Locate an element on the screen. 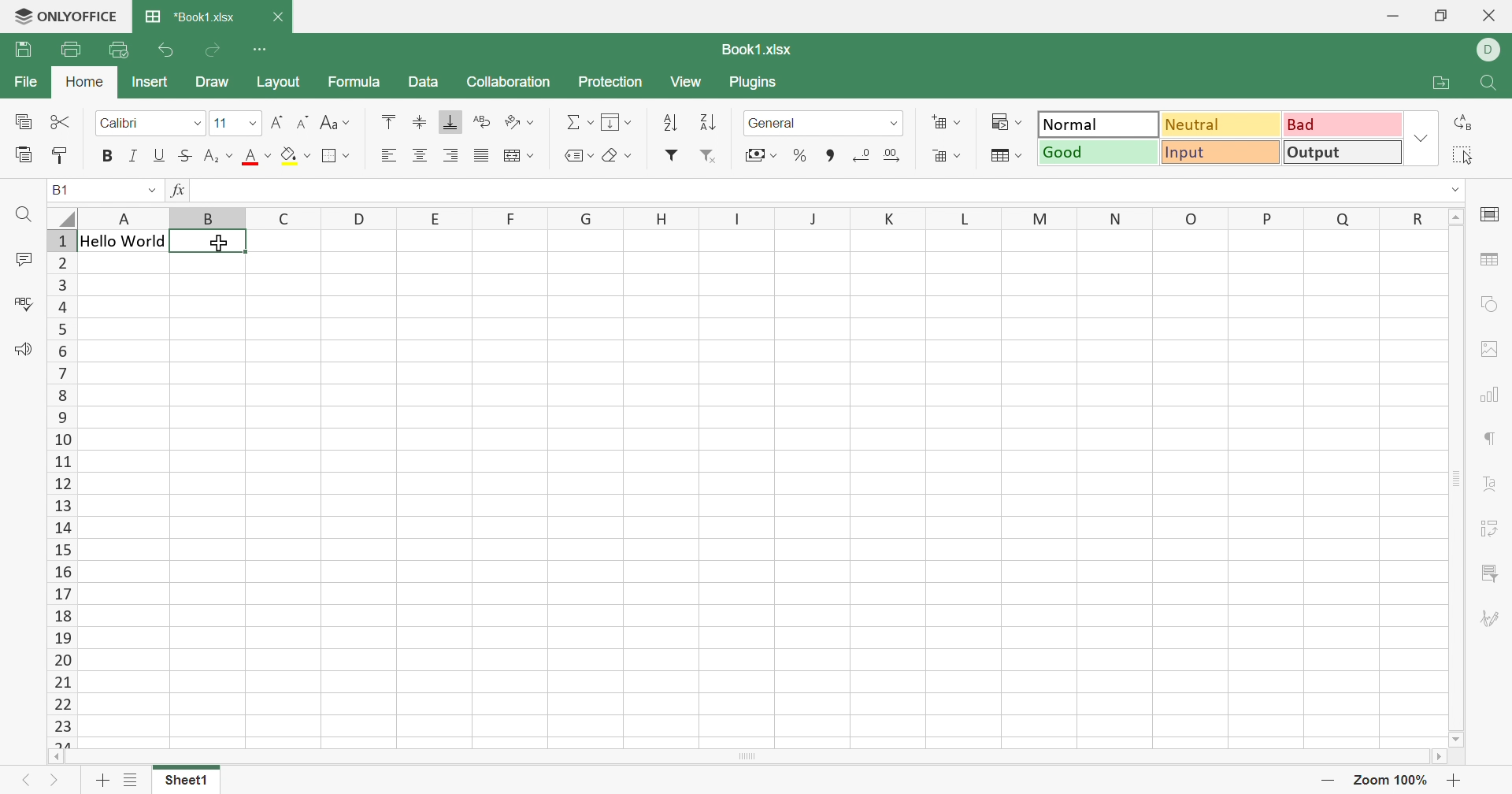 Image resolution: width=1512 pixels, height=794 pixels. Home is located at coordinates (84, 81).